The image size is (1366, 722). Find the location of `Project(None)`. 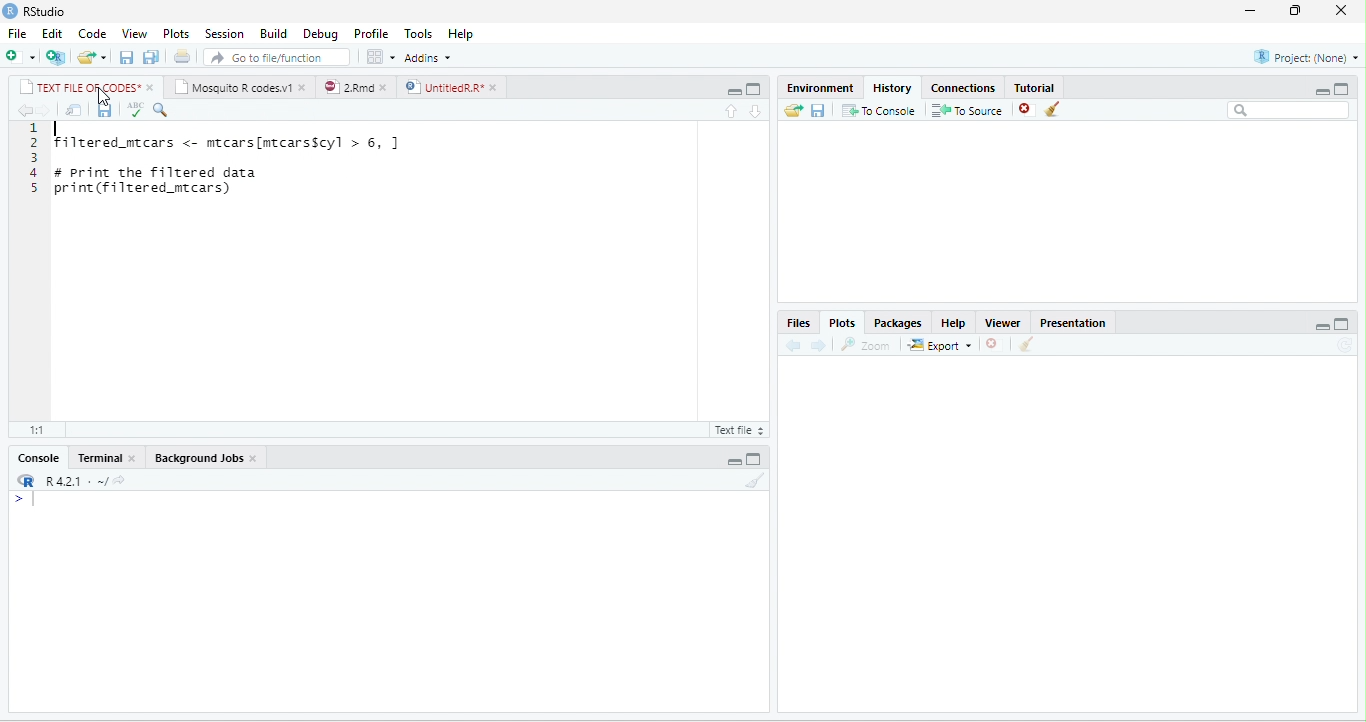

Project(None) is located at coordinates (1307, 57).